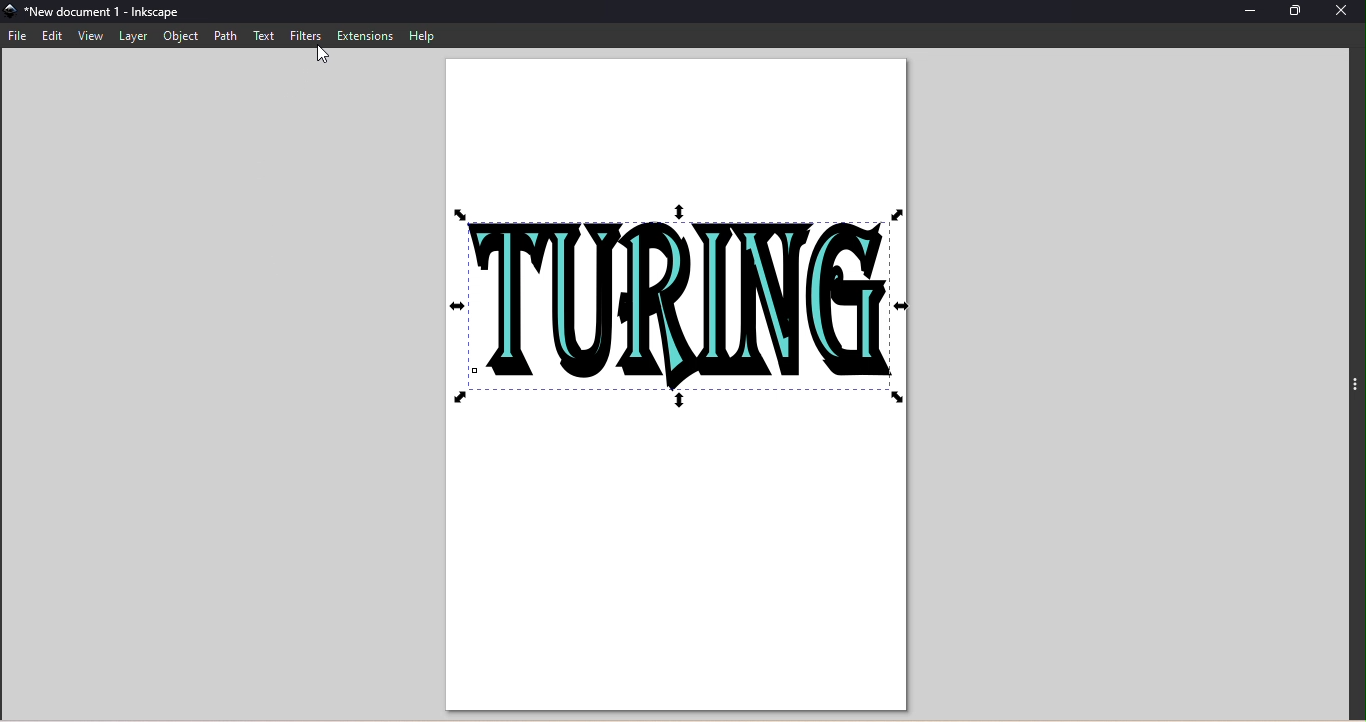 The image size is (1366, 722). What do you see at coordinates (54, 36) in the screenshot?
I see `Edit` at bounding box center [54, 36].